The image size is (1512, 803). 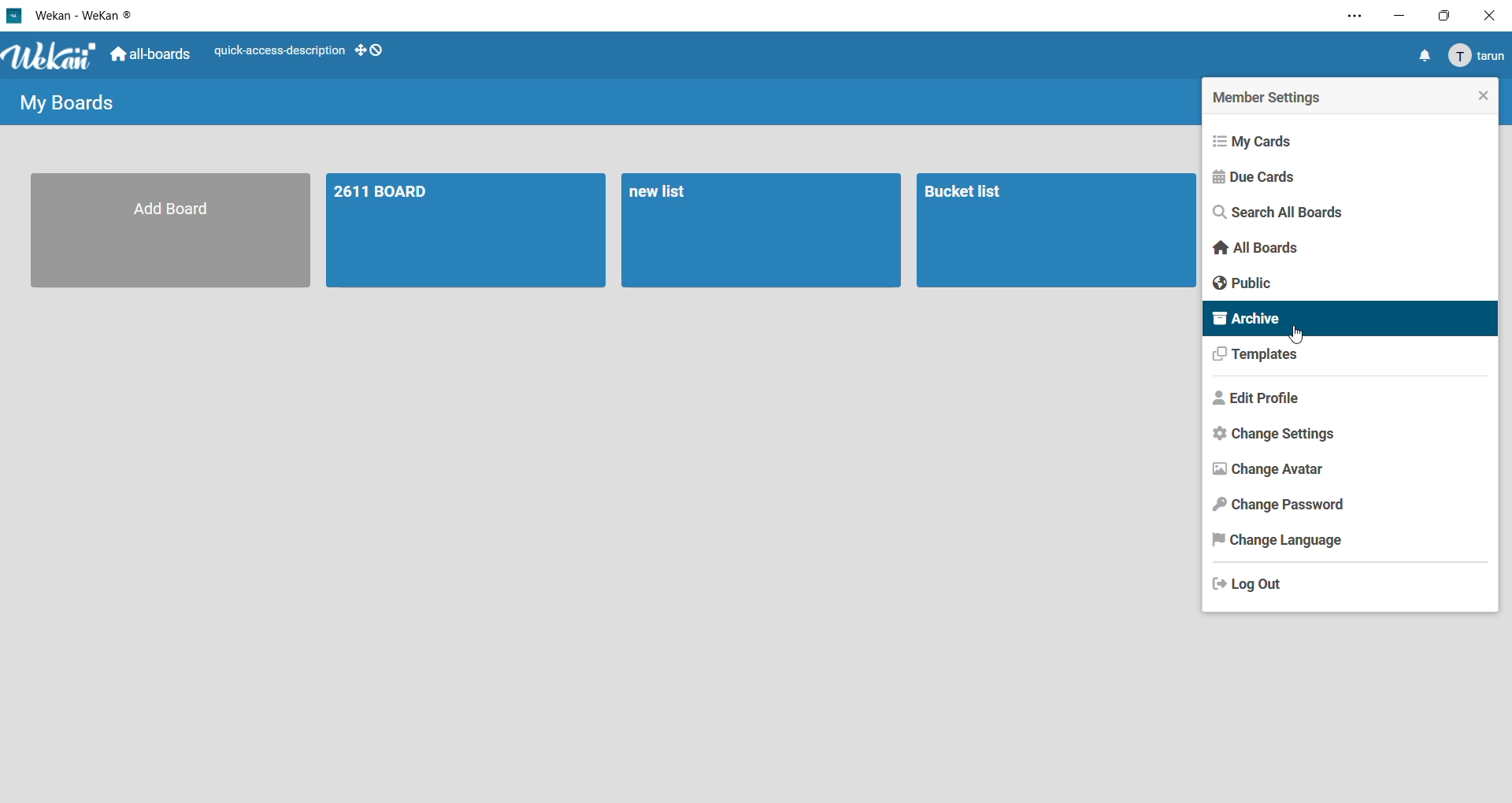 What do you see at coordinates (1349, 318) in the screenshot?
I see `archive` at bounding box center [1349, 318].